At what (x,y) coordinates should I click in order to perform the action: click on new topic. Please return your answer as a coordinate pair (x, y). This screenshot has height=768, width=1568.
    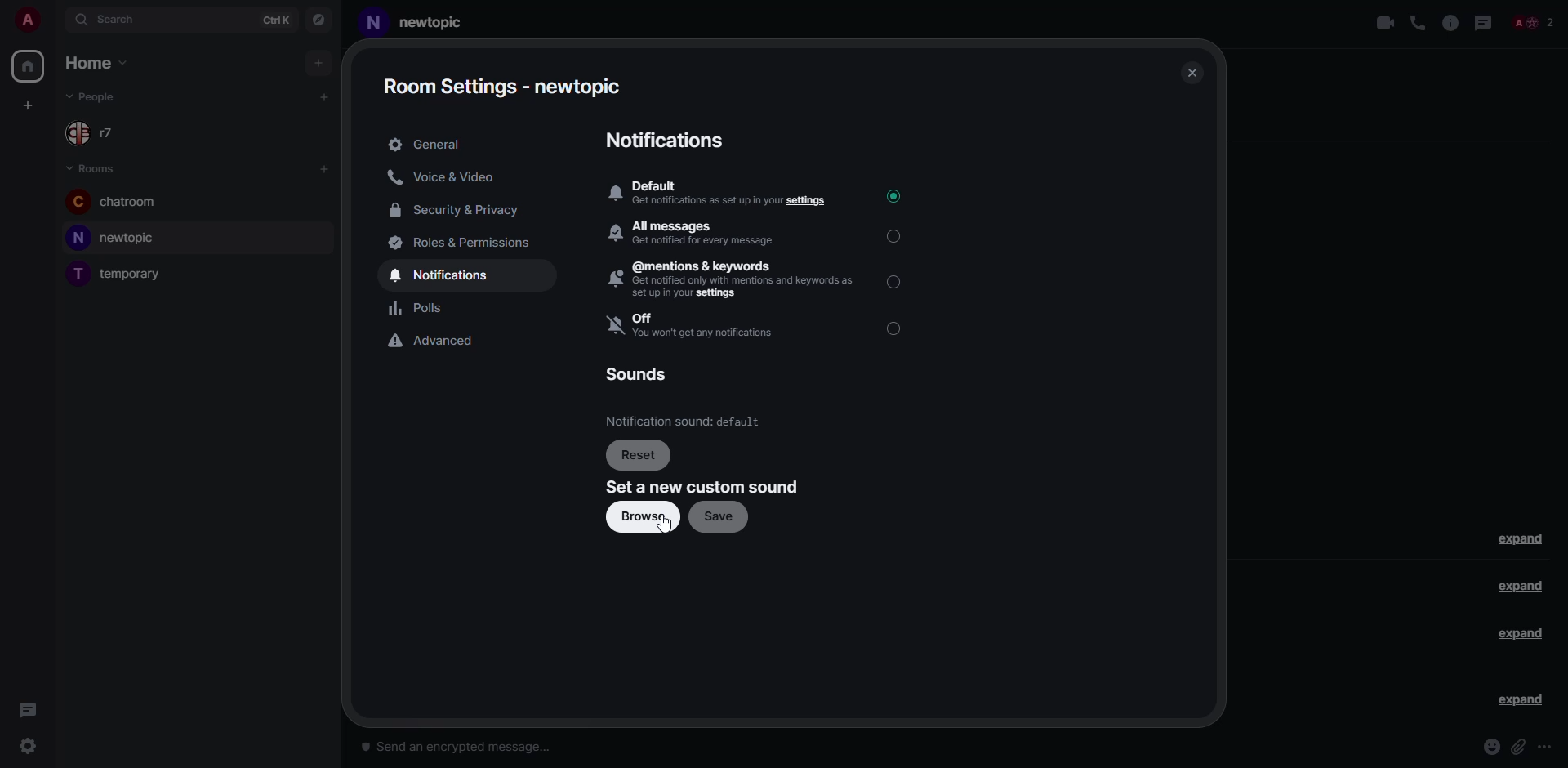
    Looking at the image, I should click on (116, 236).